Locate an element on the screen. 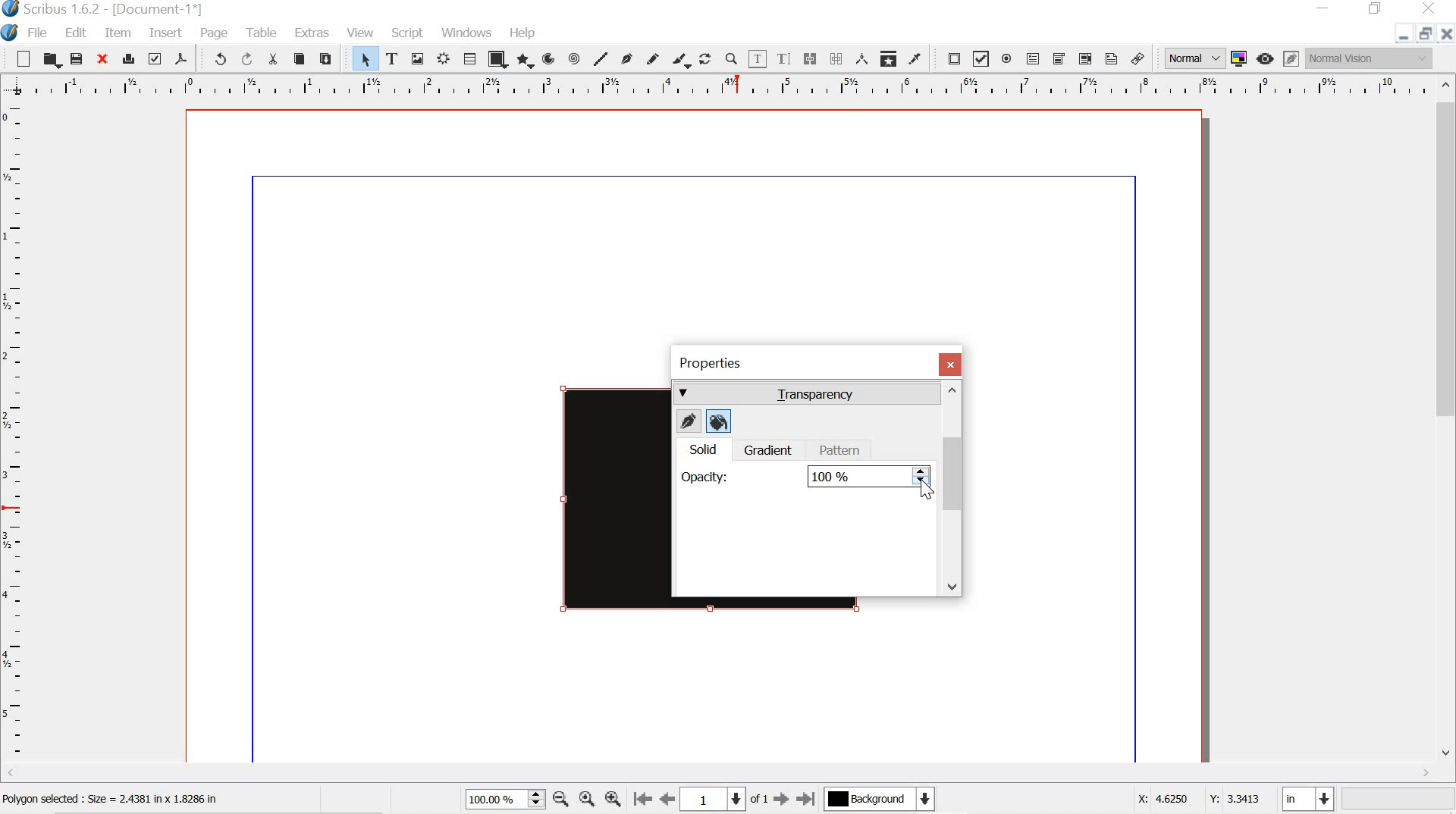 This screenshot has width=1456, height=814. solid is located at coordinates (701, 450).